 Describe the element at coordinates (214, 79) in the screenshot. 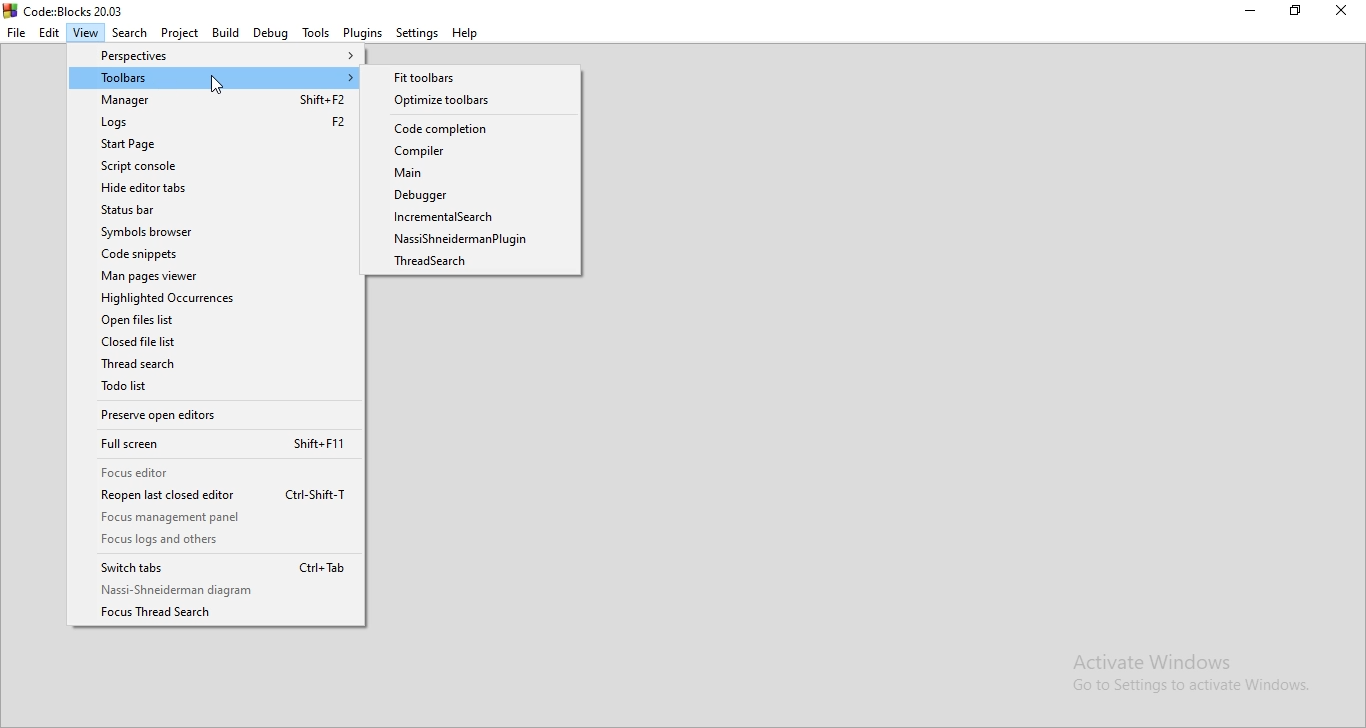

I see `Toolbars` at that location.